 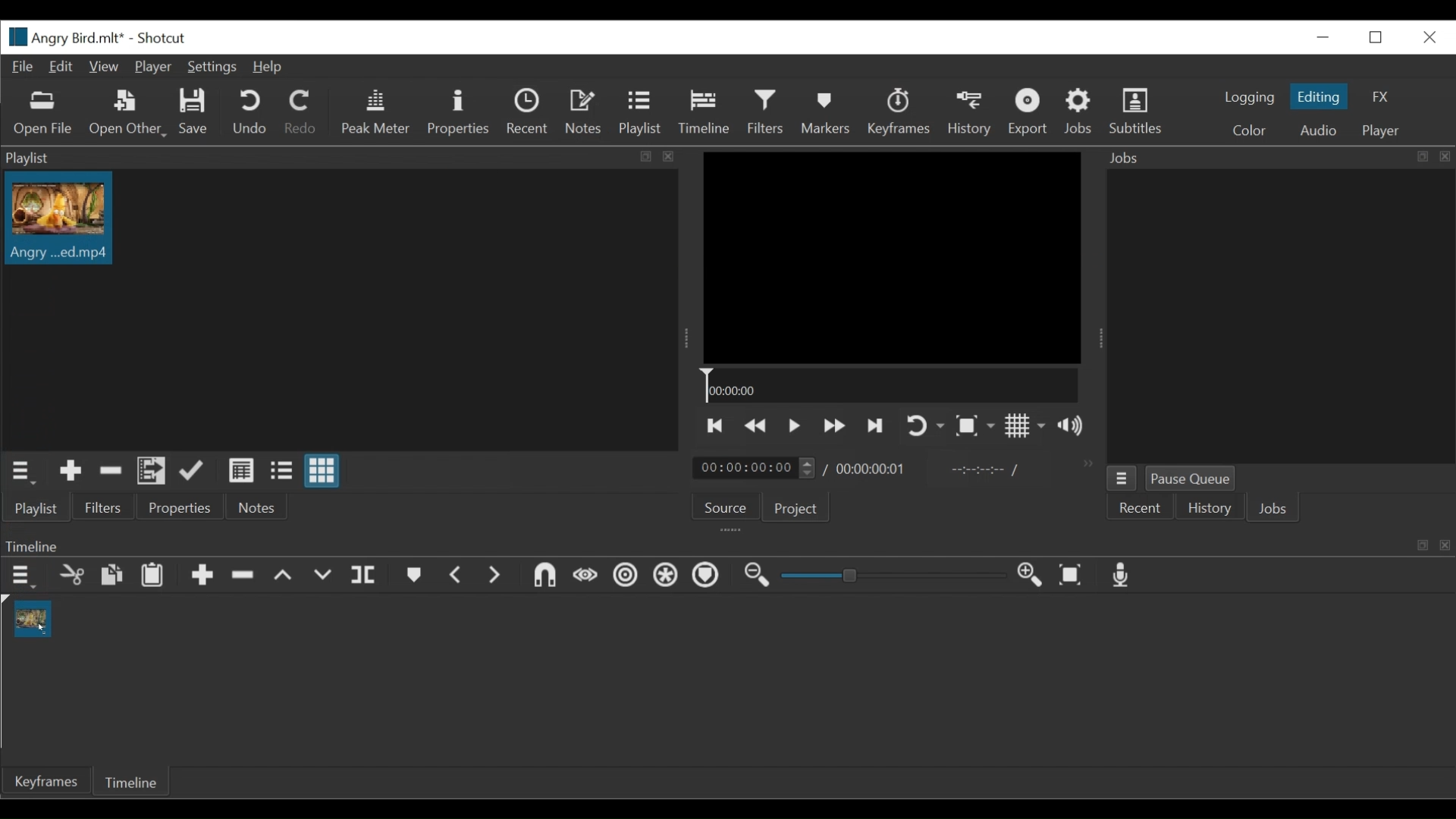 I want to click on Paste, so click(x=152, y=577).